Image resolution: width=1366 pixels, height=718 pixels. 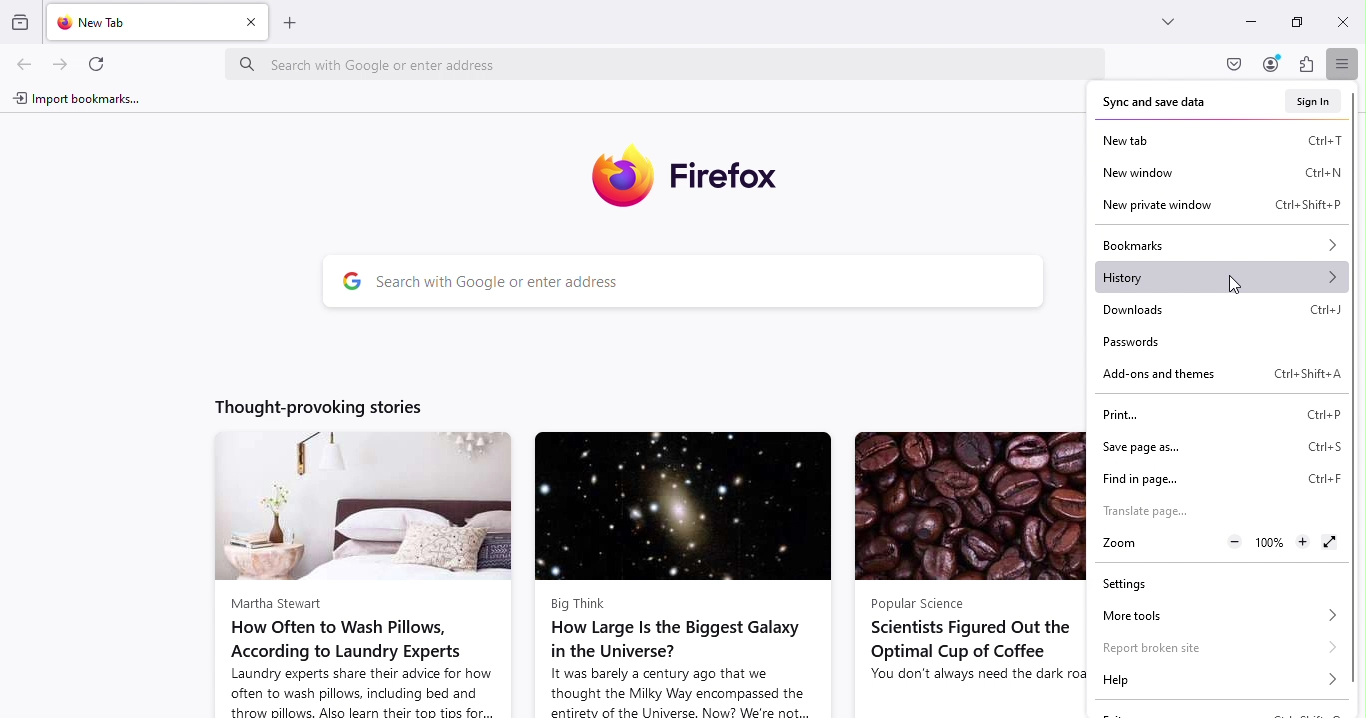 What do you see at coordinates (1227, 414) in the screenshot?
I see `Print` at bounding box center [1227, 414].